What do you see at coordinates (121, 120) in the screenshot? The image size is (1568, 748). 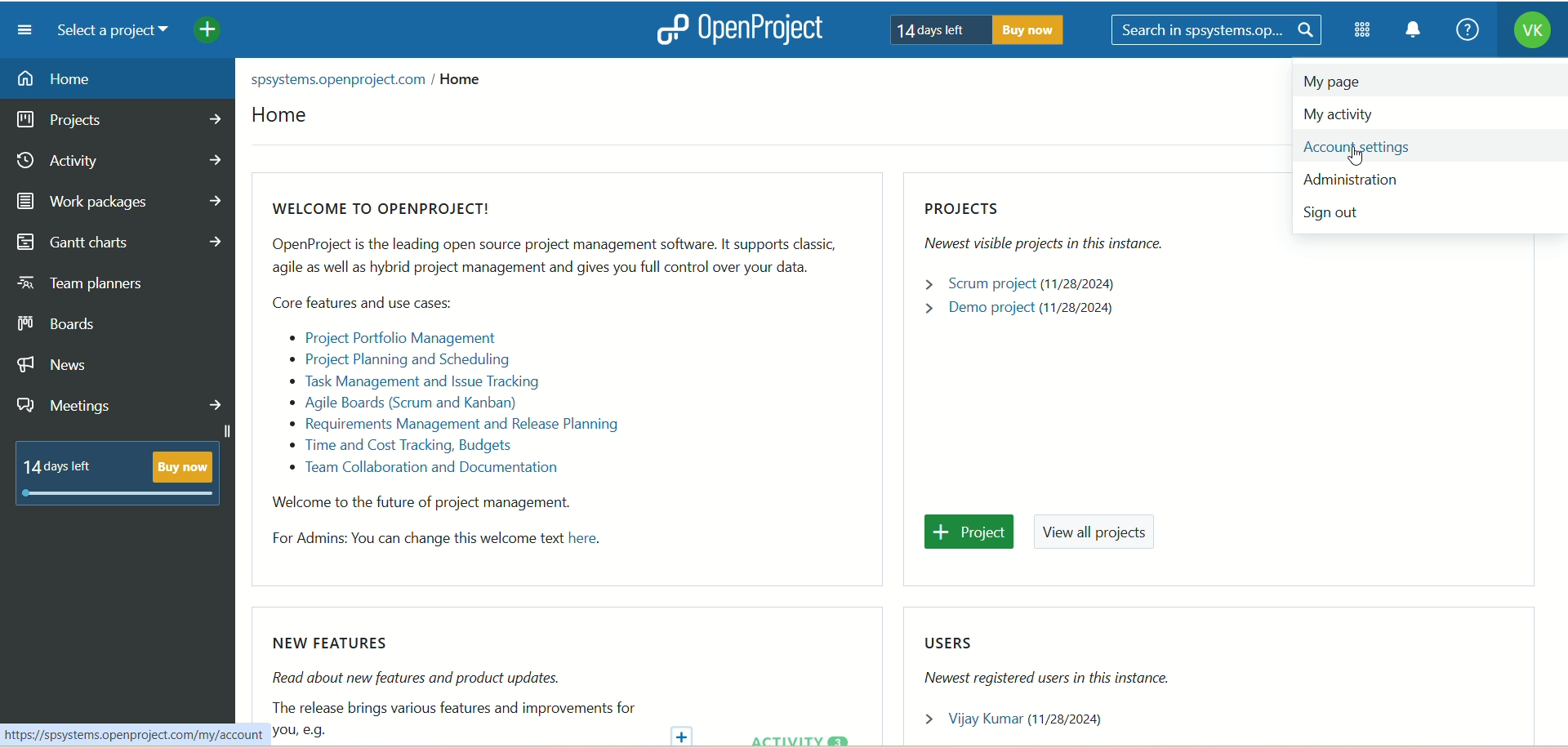 I see `projects` at bounding box center [121, 120].